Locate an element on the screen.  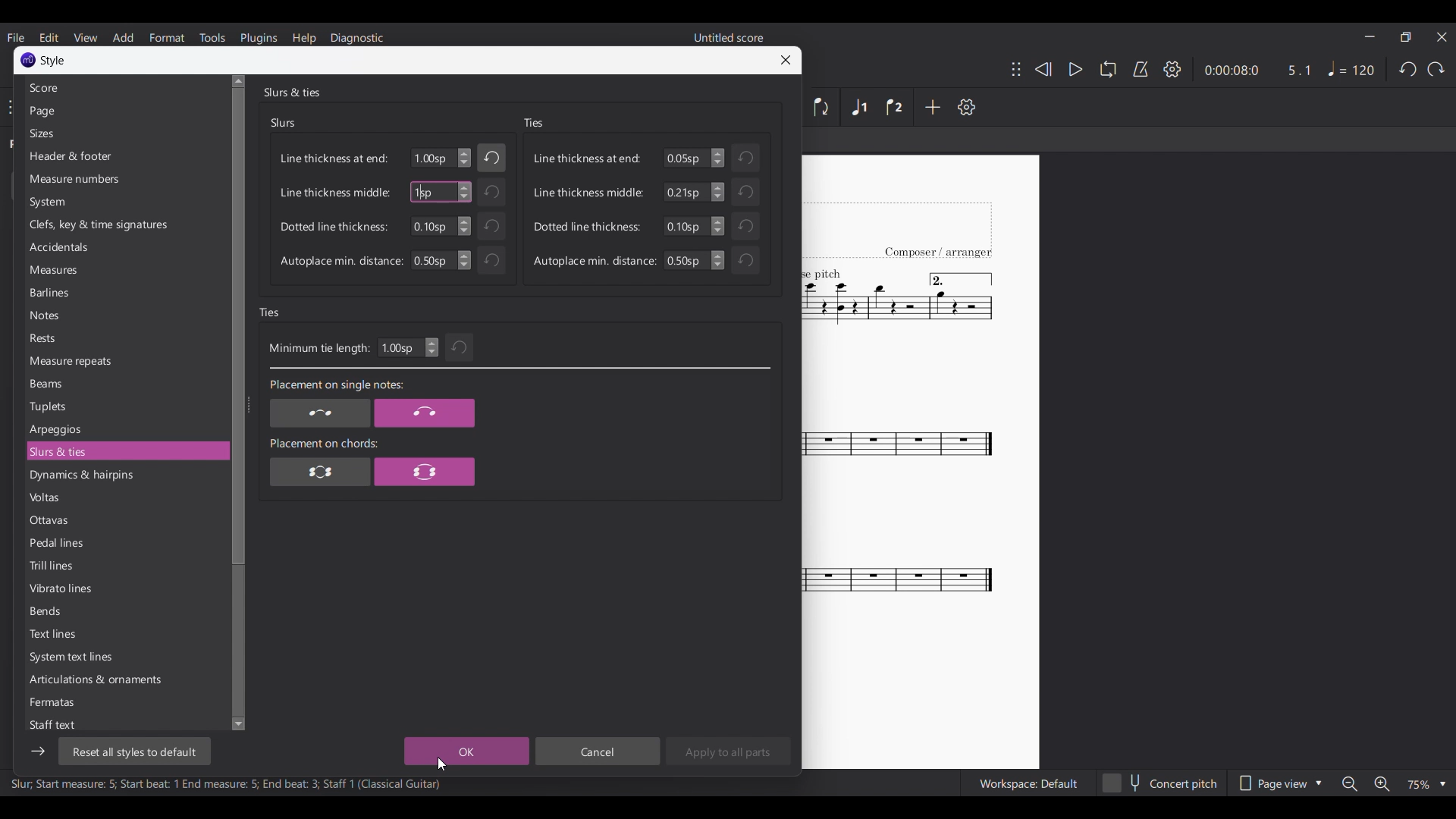
Page view options is located at coordinates (1279, 783).